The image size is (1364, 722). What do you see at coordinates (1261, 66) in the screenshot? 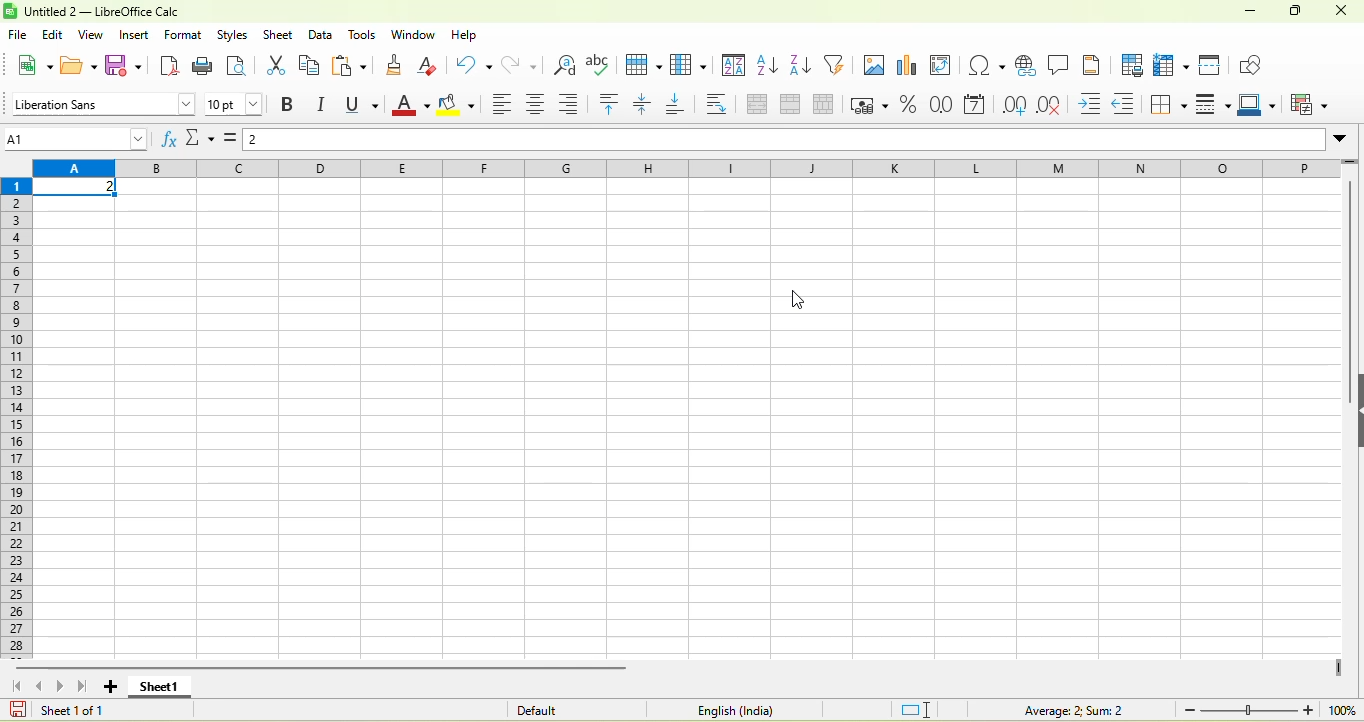
I see `show draw function` at bounding box center [1261, 66].